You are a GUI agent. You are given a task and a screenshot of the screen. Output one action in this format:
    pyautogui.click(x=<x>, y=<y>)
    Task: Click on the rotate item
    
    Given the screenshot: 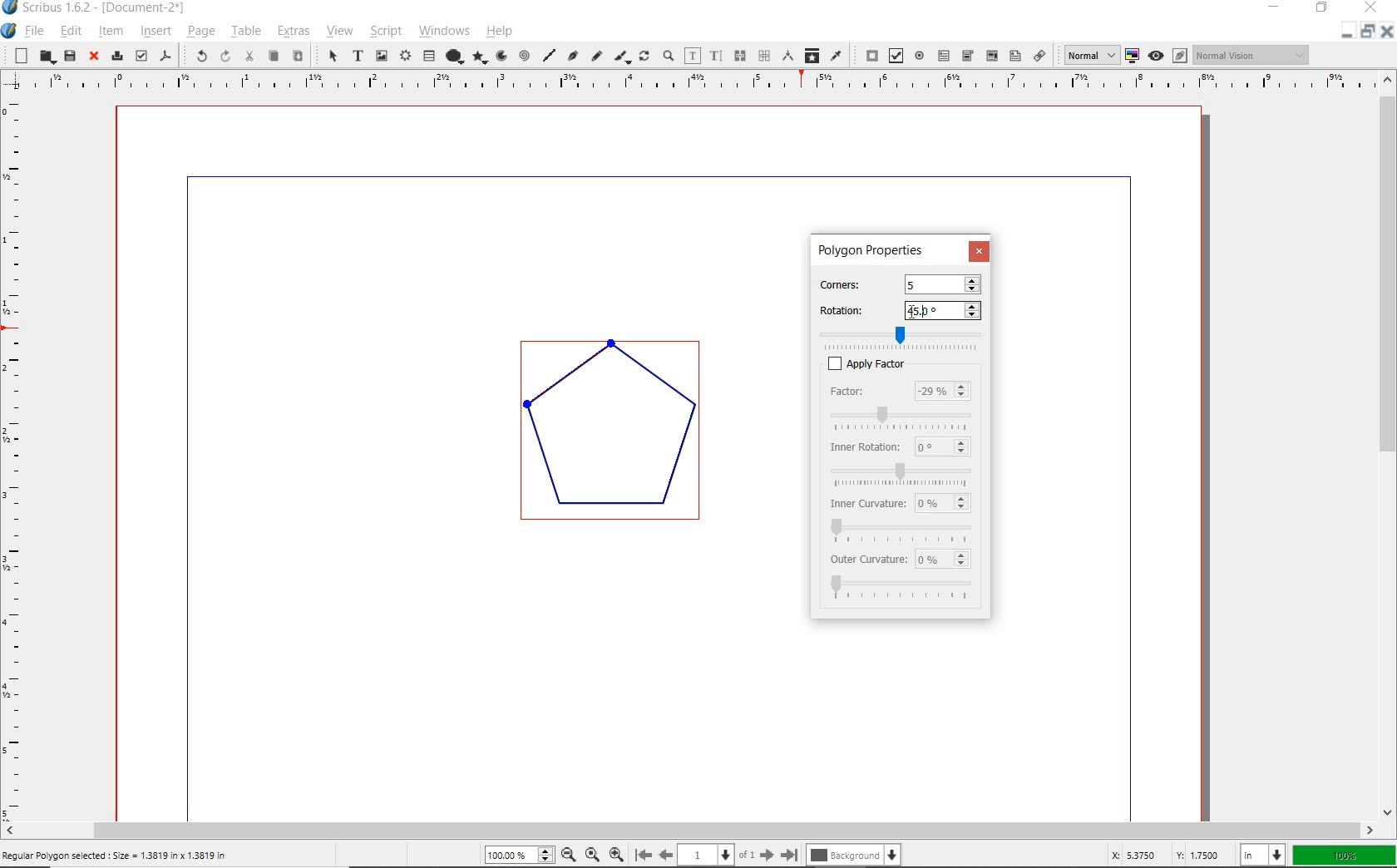 What is the action you would take?
    pyautogui.click(x=645, y=57)
    